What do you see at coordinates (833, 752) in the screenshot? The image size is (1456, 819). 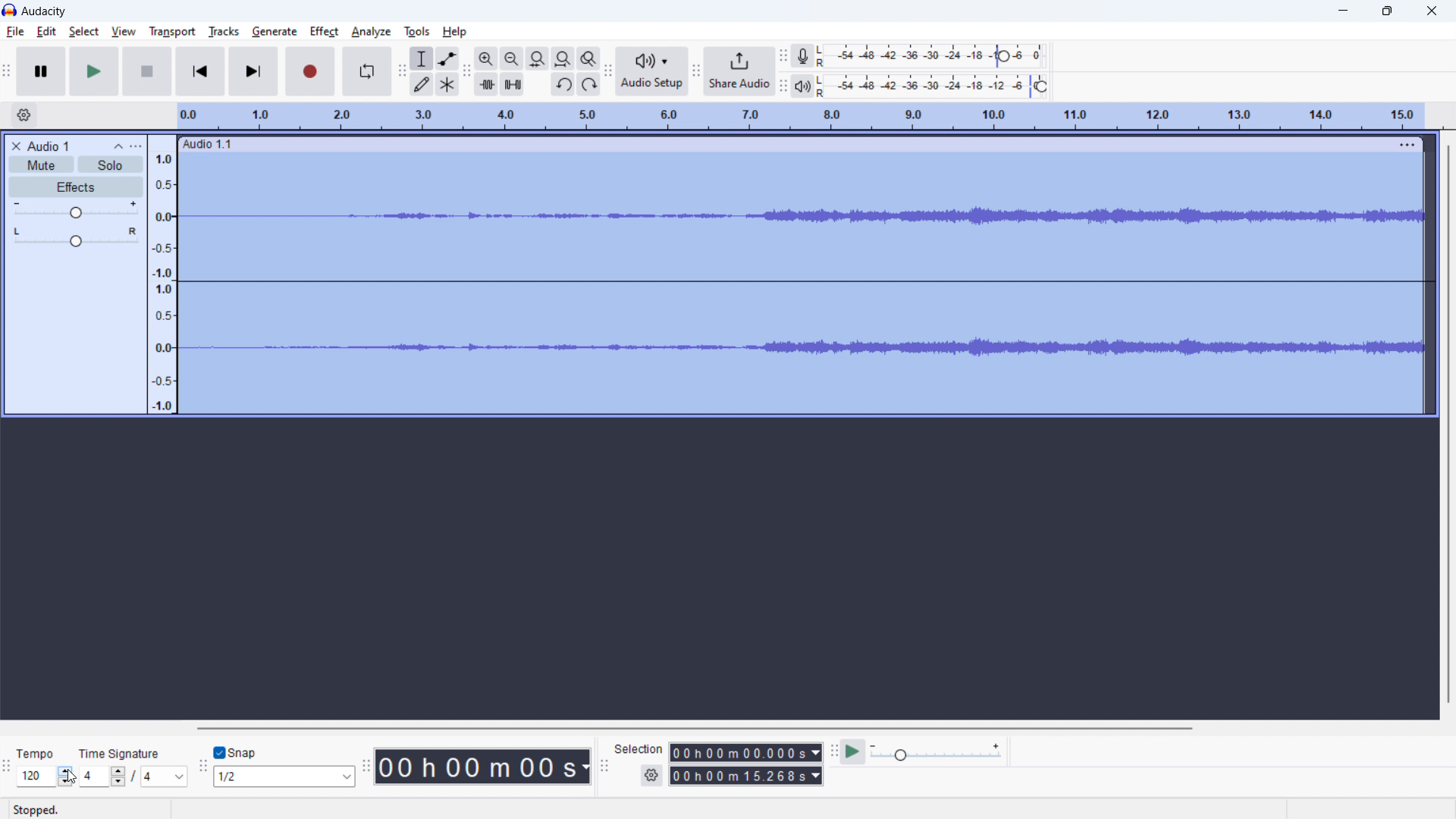 I see `play at speed toolbar` at bounding box center [833, 752].